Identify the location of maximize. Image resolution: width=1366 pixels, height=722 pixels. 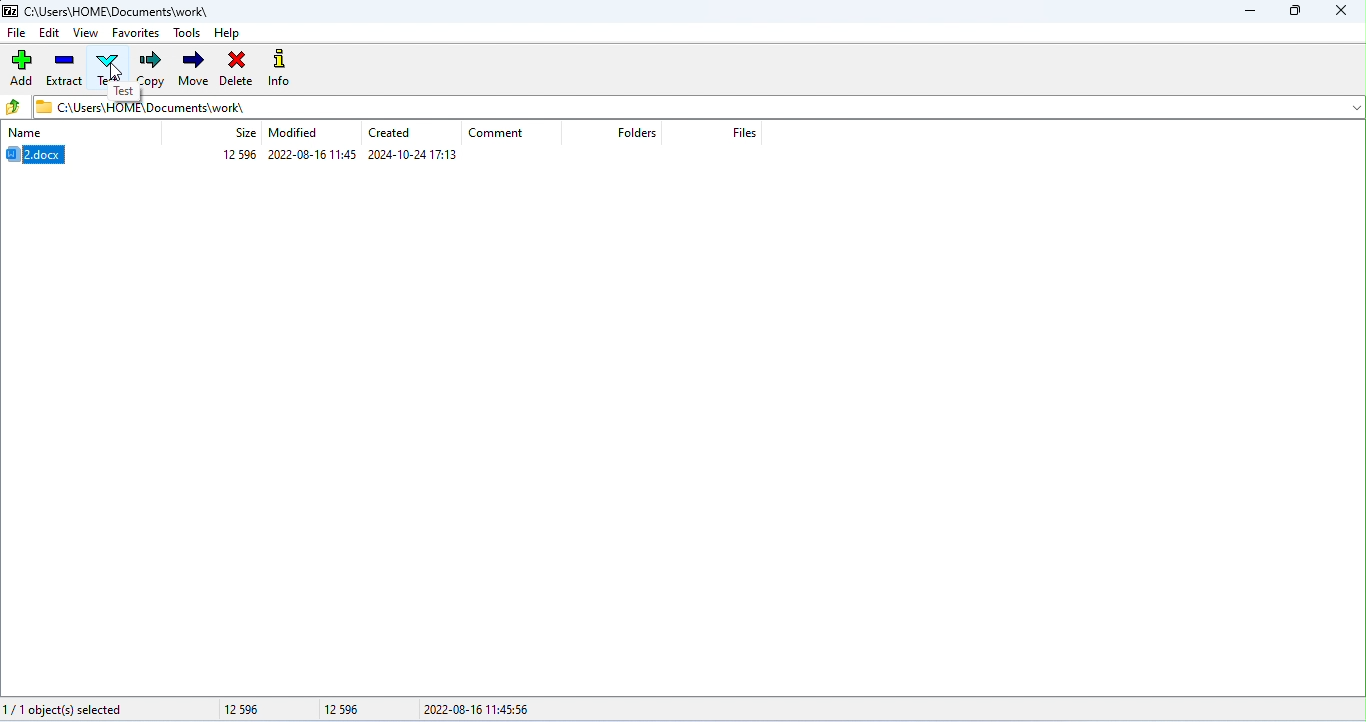
(1299, 14).